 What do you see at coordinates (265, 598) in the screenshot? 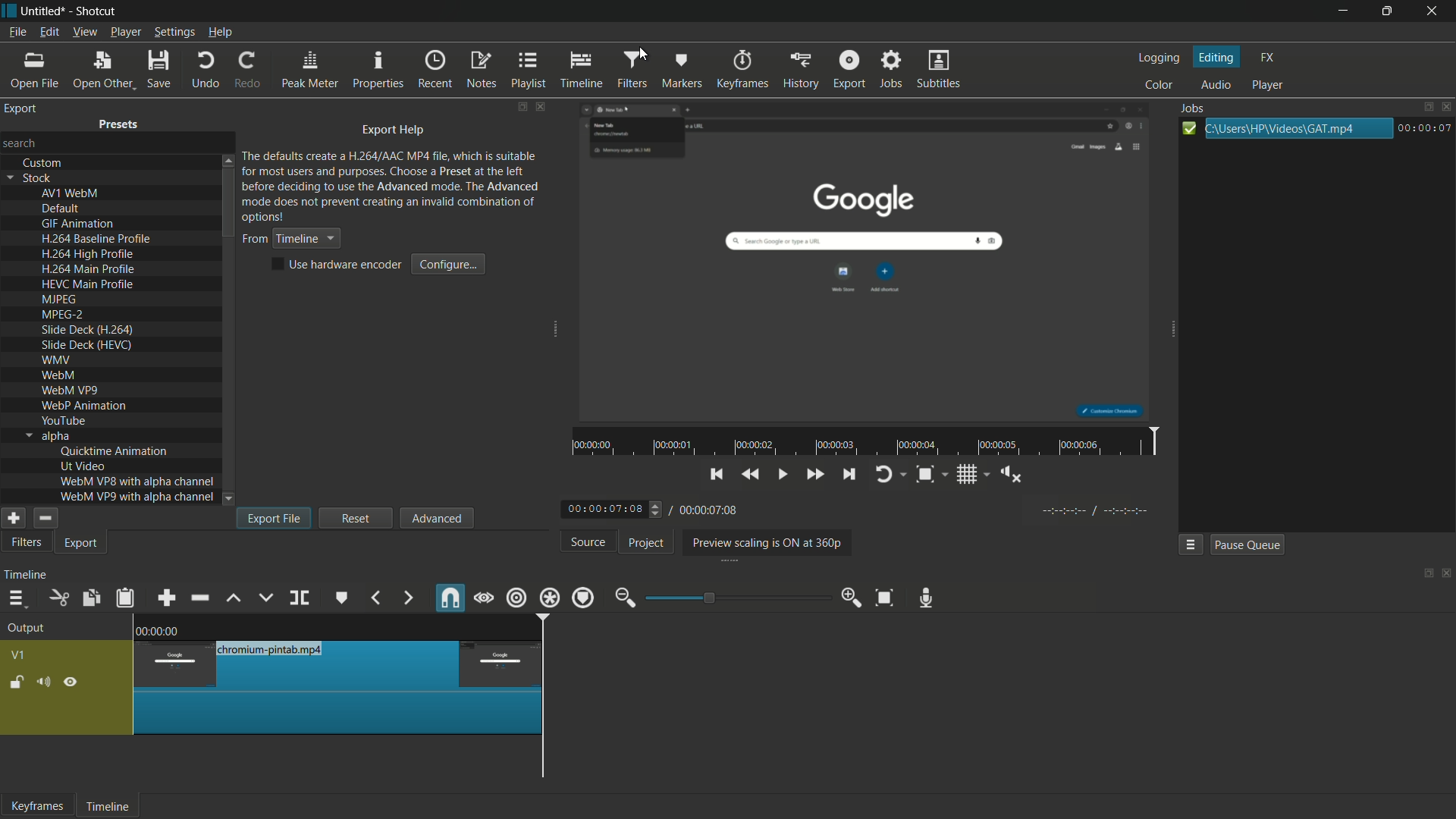
I see `overwrite` at bounding box center [265, 598].